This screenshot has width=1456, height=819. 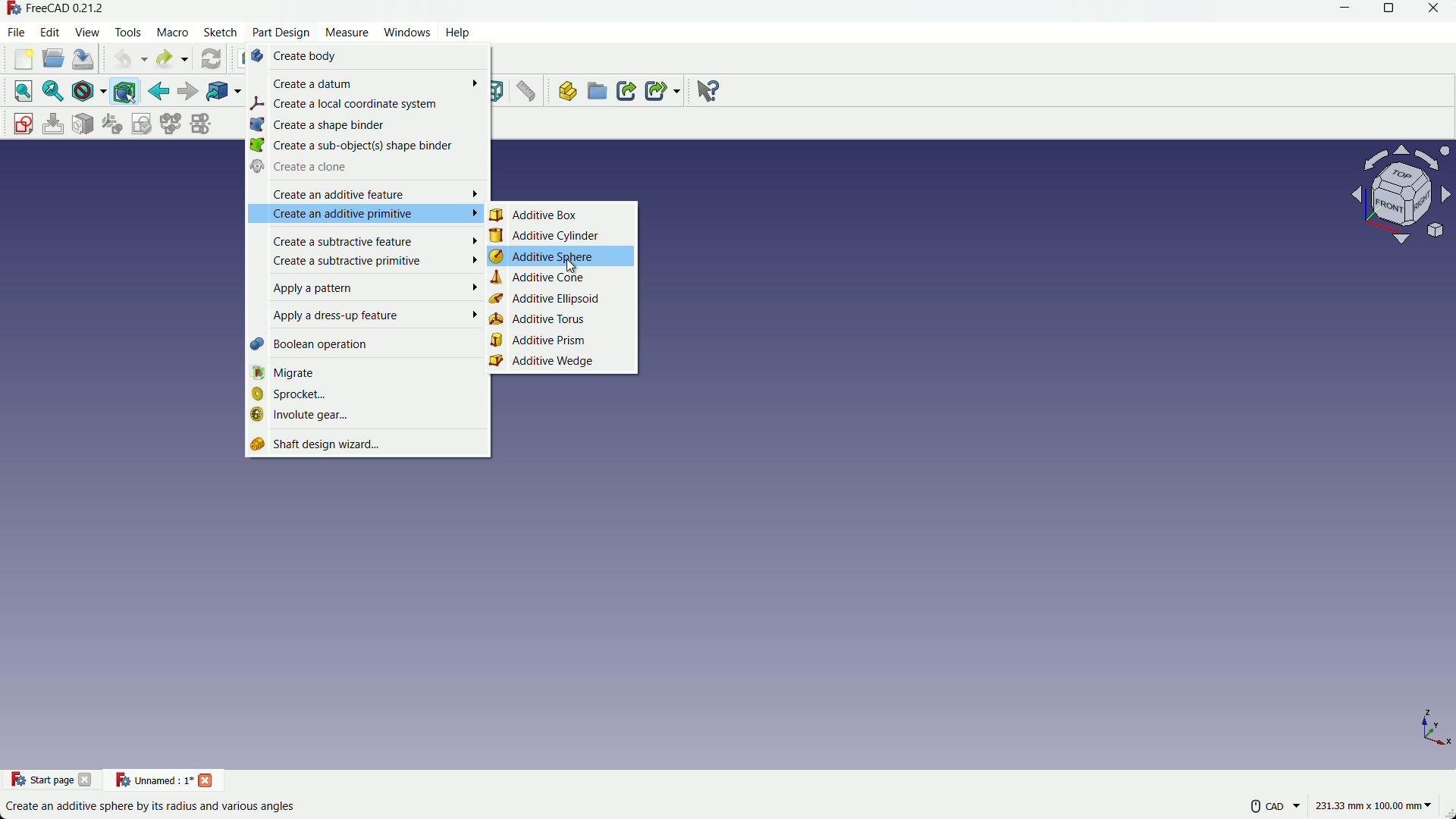 I want to click on redo, so click(x=164, y=58).